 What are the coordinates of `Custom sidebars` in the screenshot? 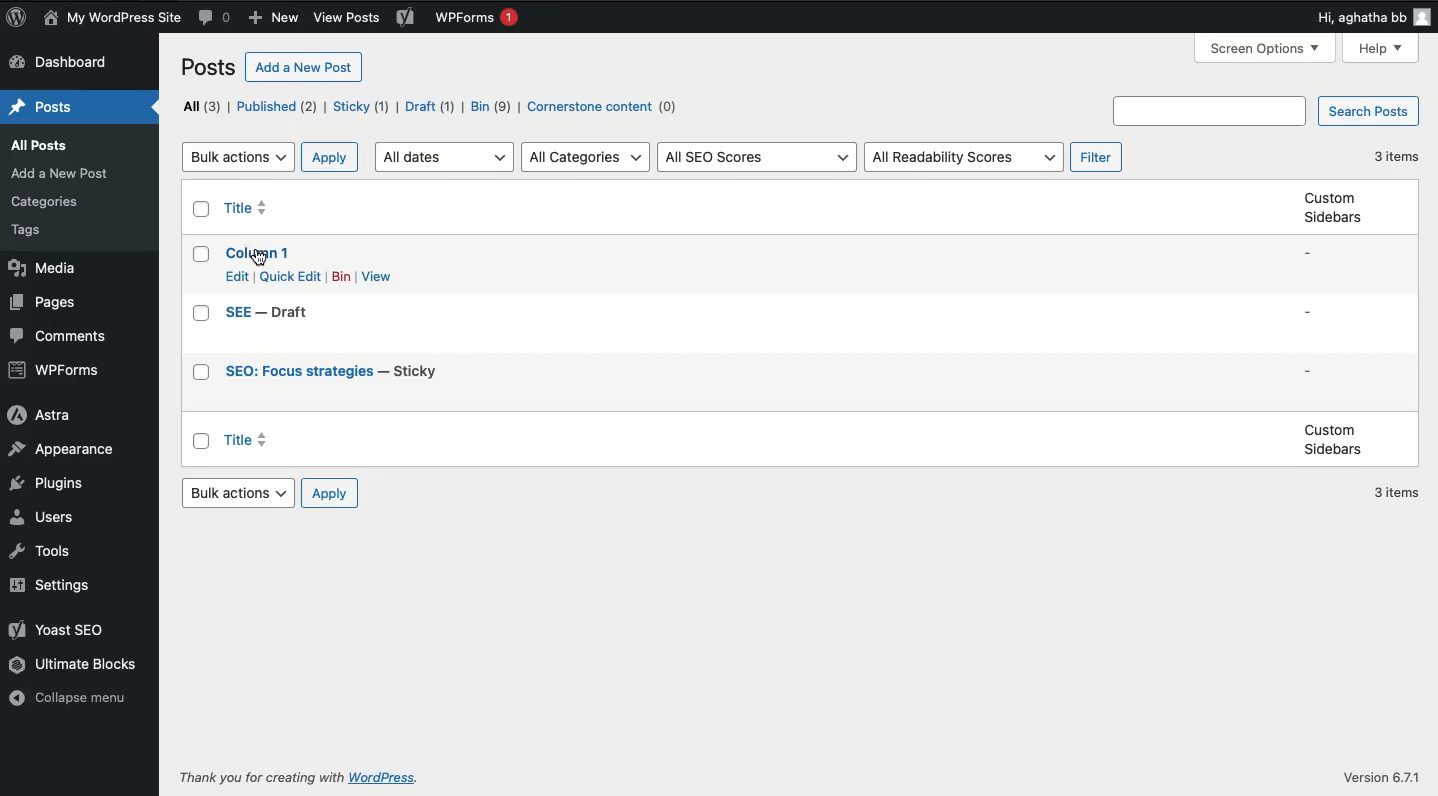 It's located at (1330, 208).